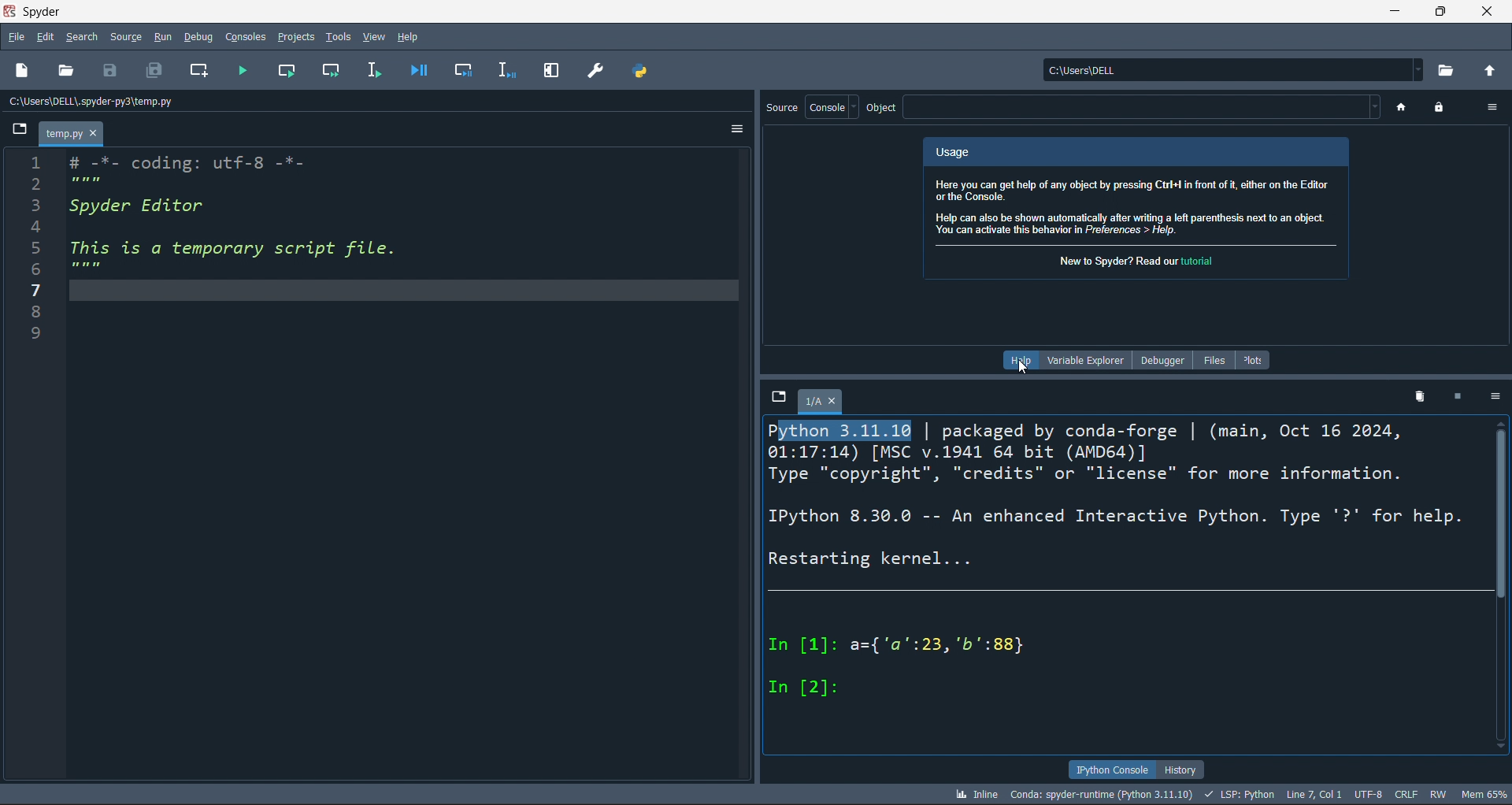 The image size is (1512, 805). Describe the element at coordinates (1110, 770) in the screenshot. I see `ipython console` at that location.